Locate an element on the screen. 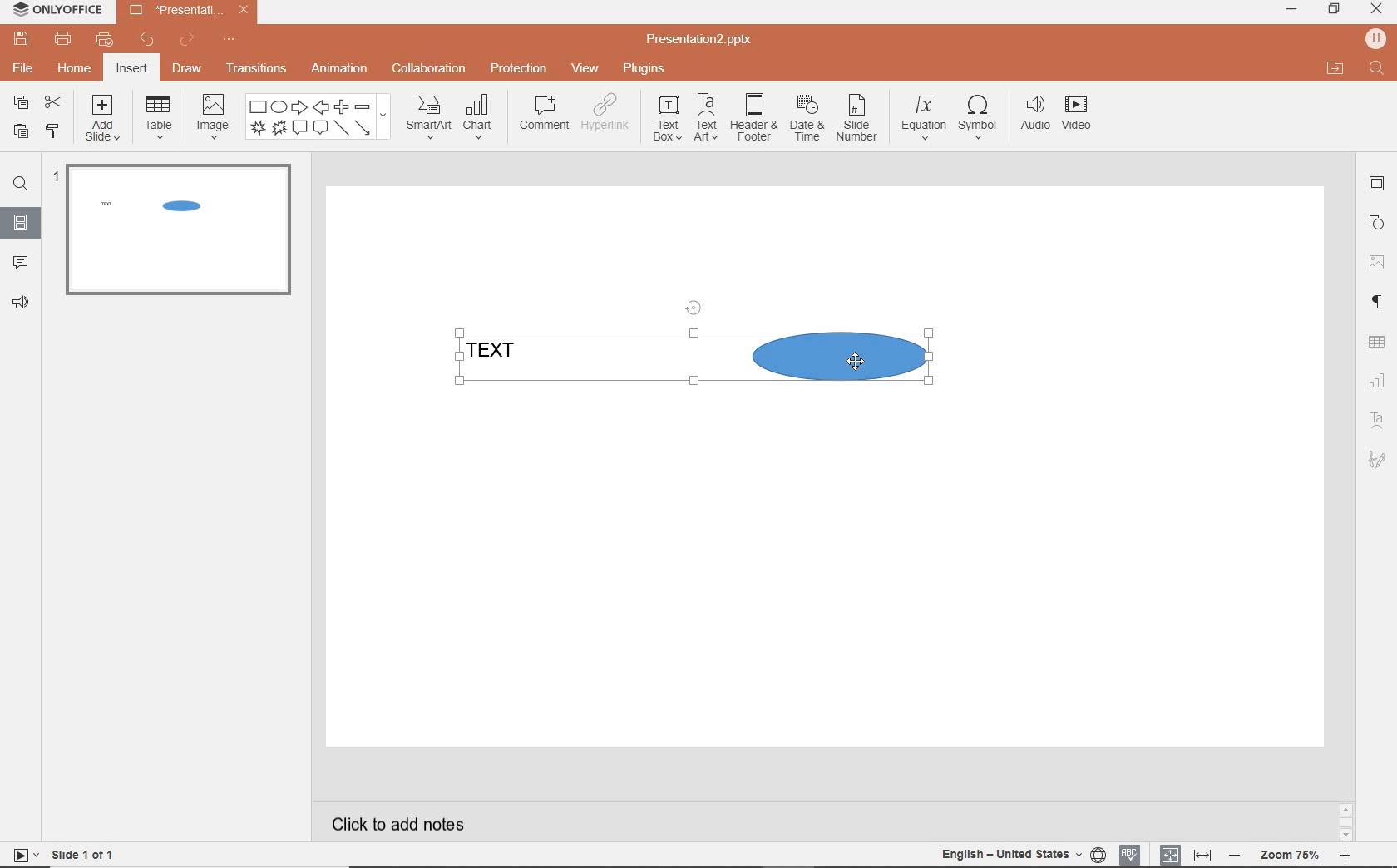 Image resolution: width=1397 pixels, height=868 pixels. HP is located at coordinates (1377, 38).